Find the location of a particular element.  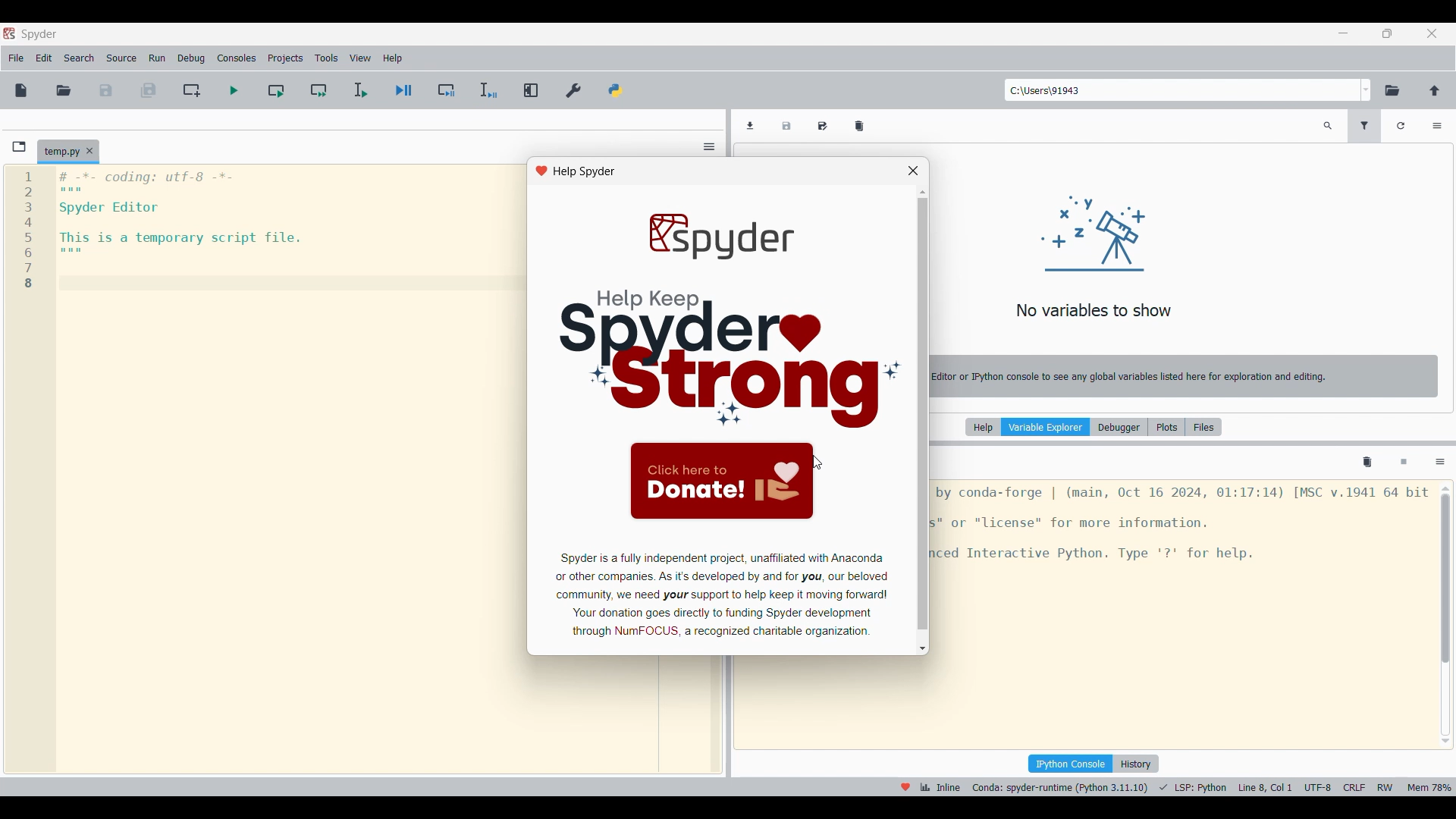

image is located at coordinates (714, 318).